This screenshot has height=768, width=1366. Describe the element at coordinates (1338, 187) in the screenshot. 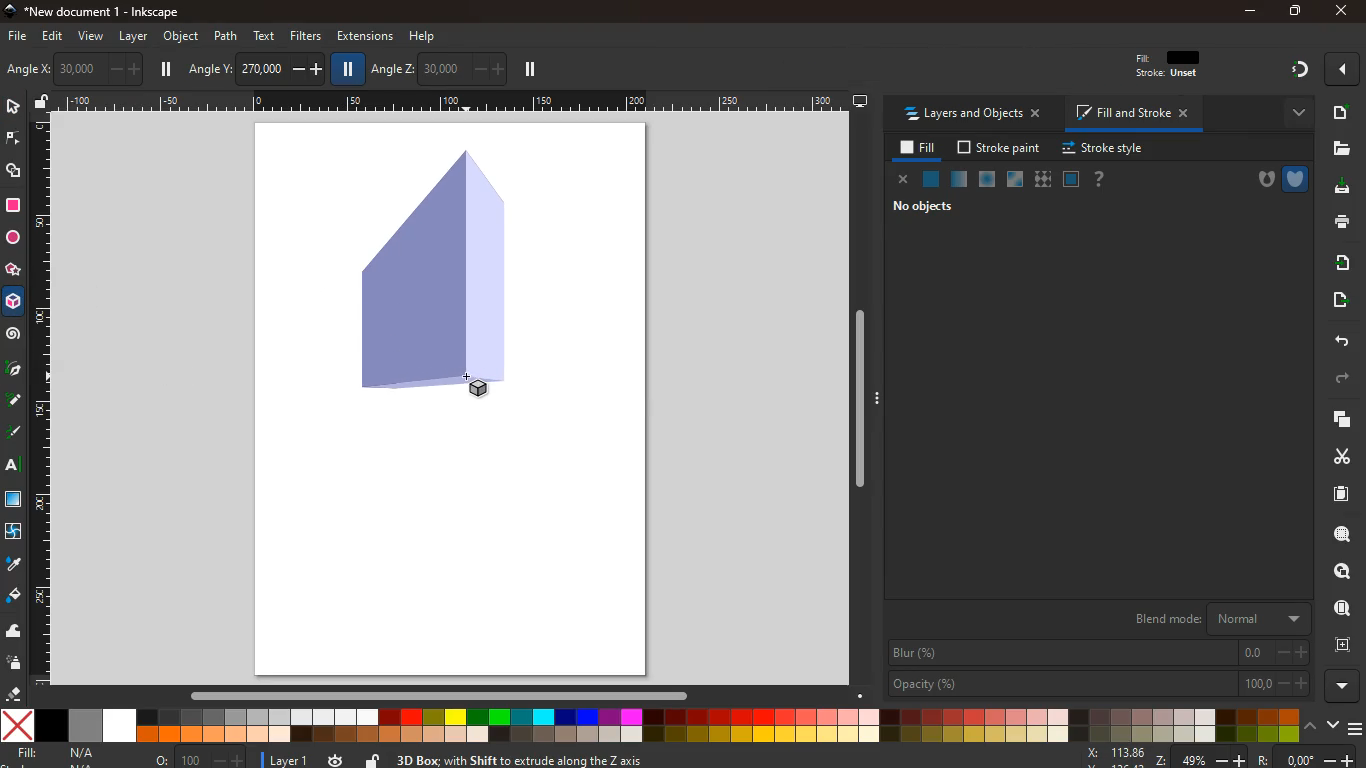

I see `dowload` at that location.